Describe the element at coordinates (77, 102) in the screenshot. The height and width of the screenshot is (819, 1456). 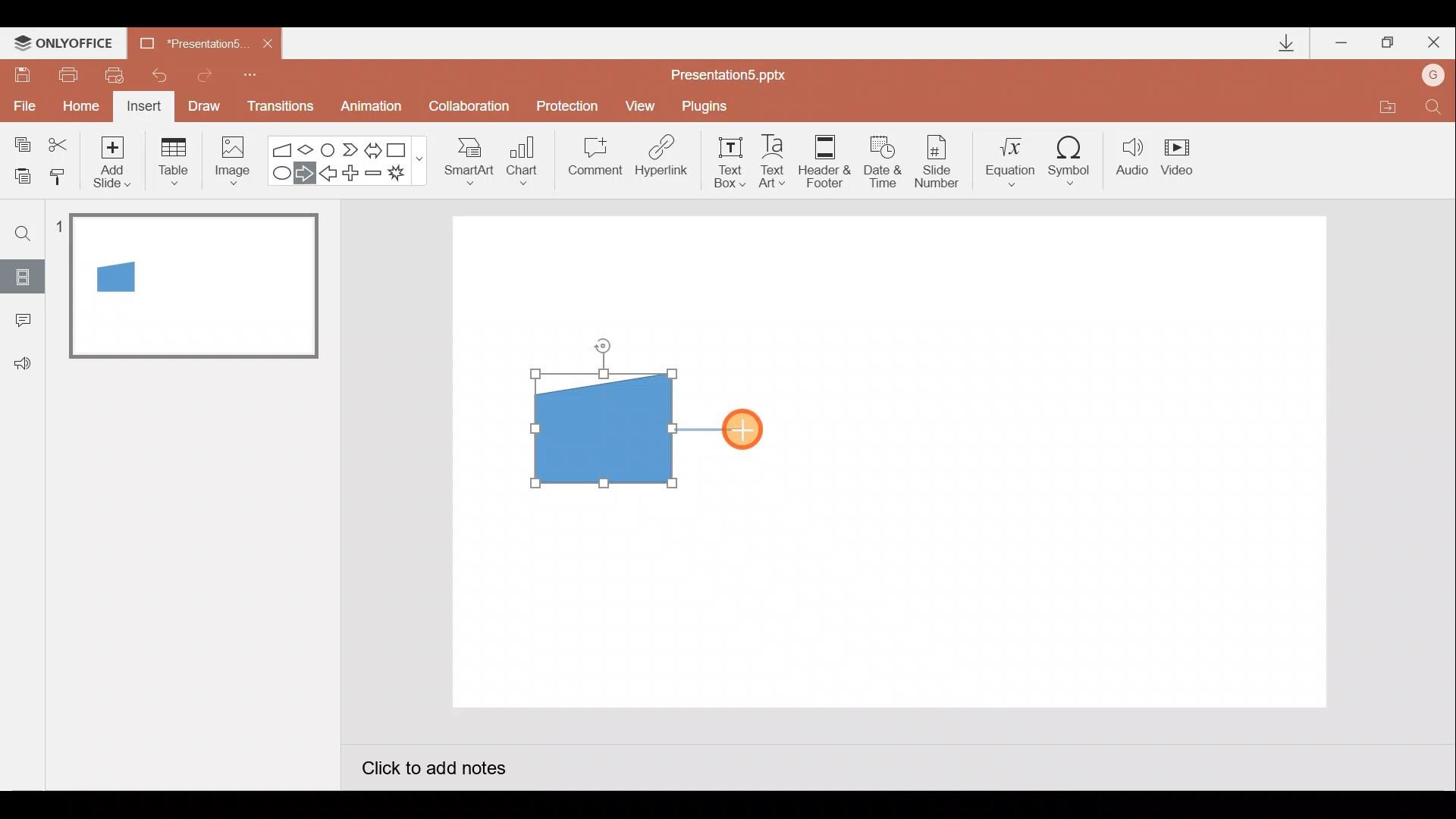
I see `Home` at that location.